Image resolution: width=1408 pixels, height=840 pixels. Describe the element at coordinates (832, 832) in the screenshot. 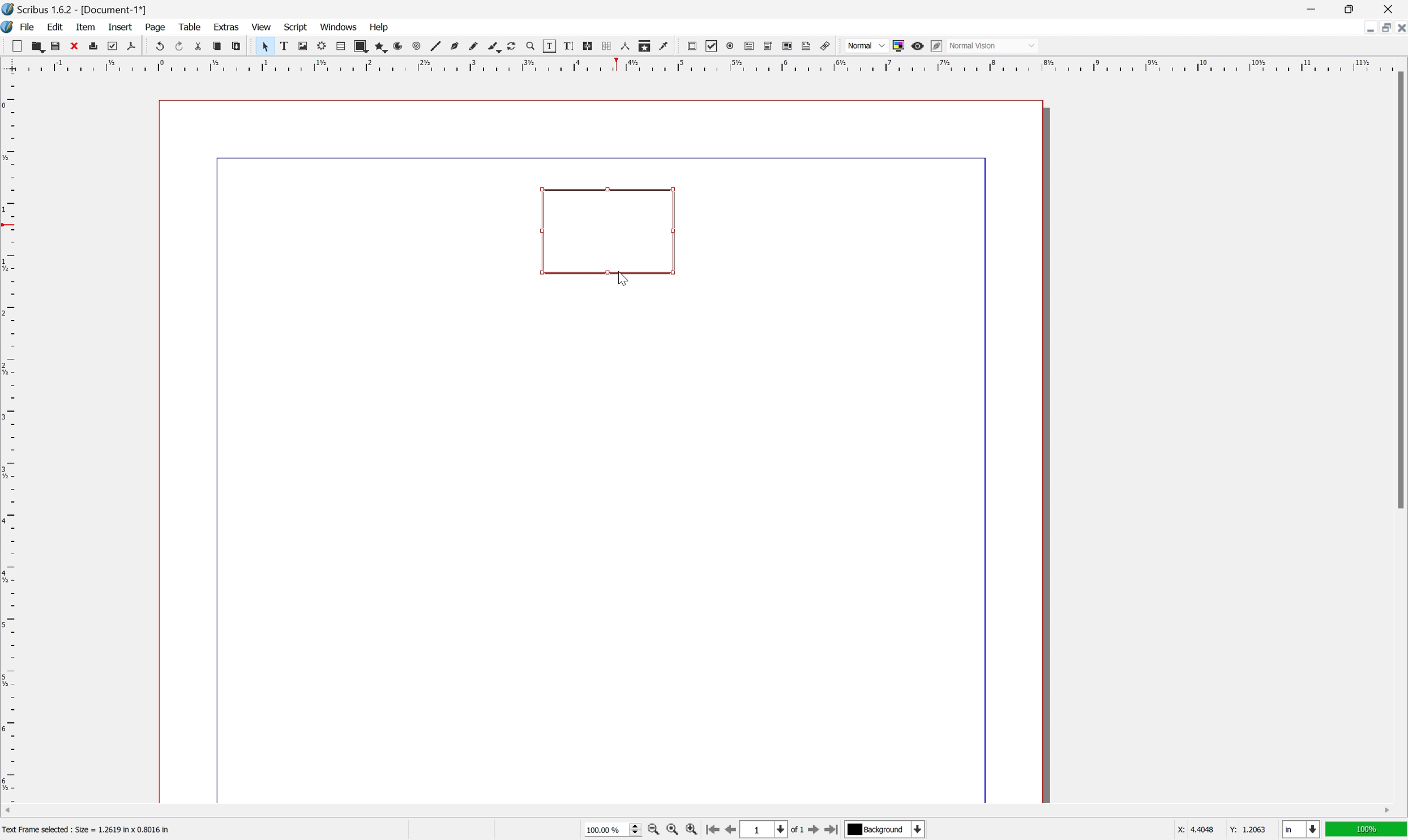

I see `go to last page` at that location.